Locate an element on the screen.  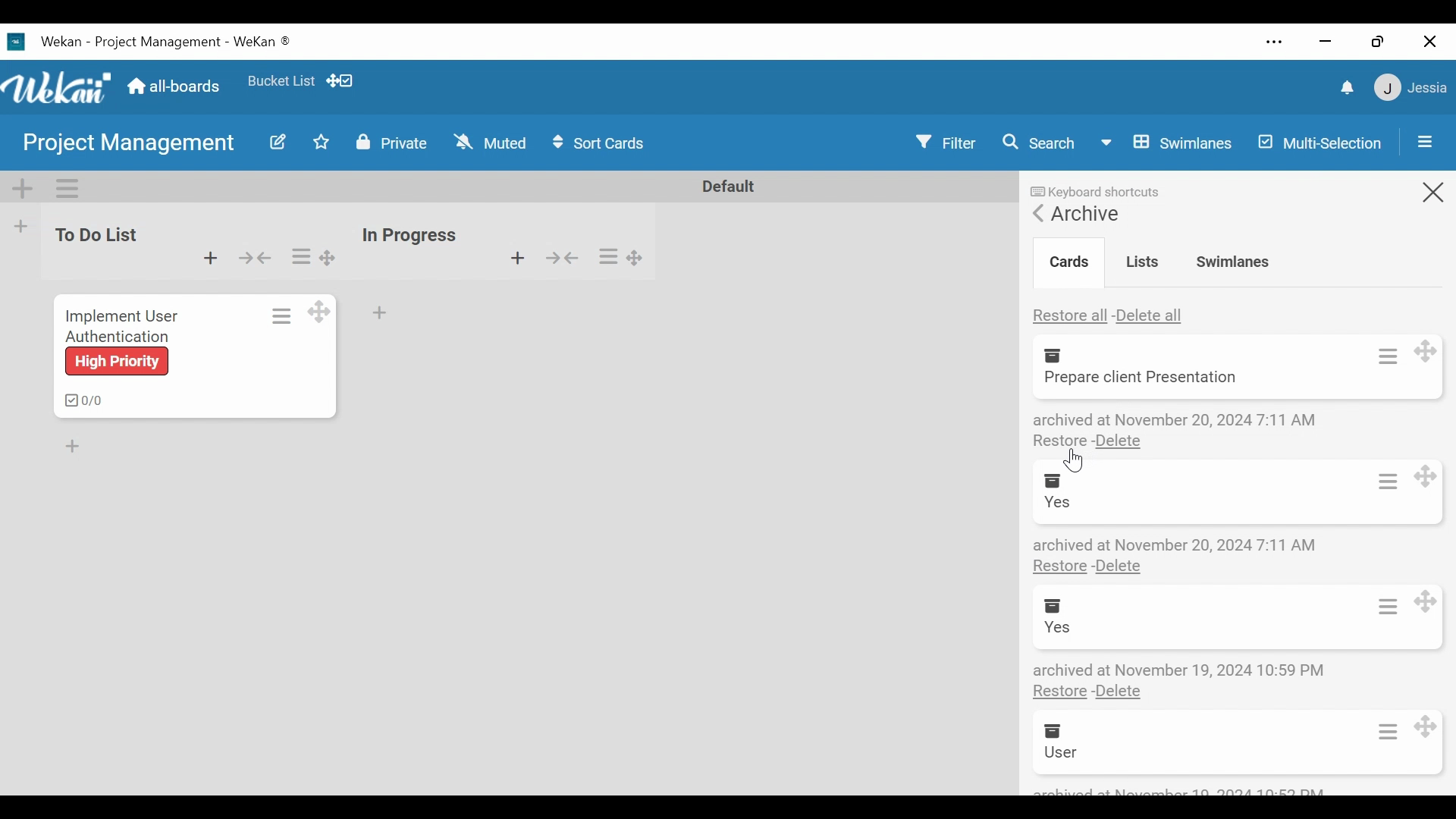
Multi-selection is located at coordinates (1322, 141).